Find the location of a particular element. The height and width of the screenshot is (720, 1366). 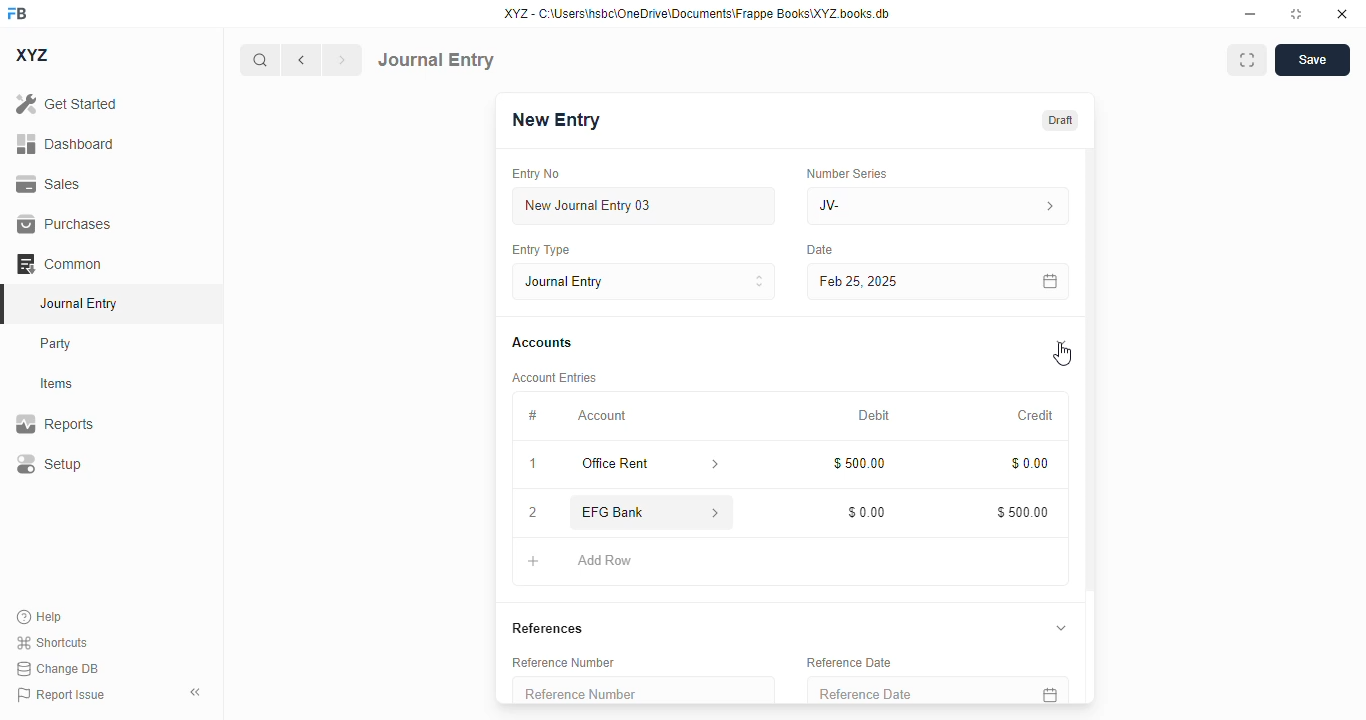

toggle maximize is located at coordinates (1295, 14).